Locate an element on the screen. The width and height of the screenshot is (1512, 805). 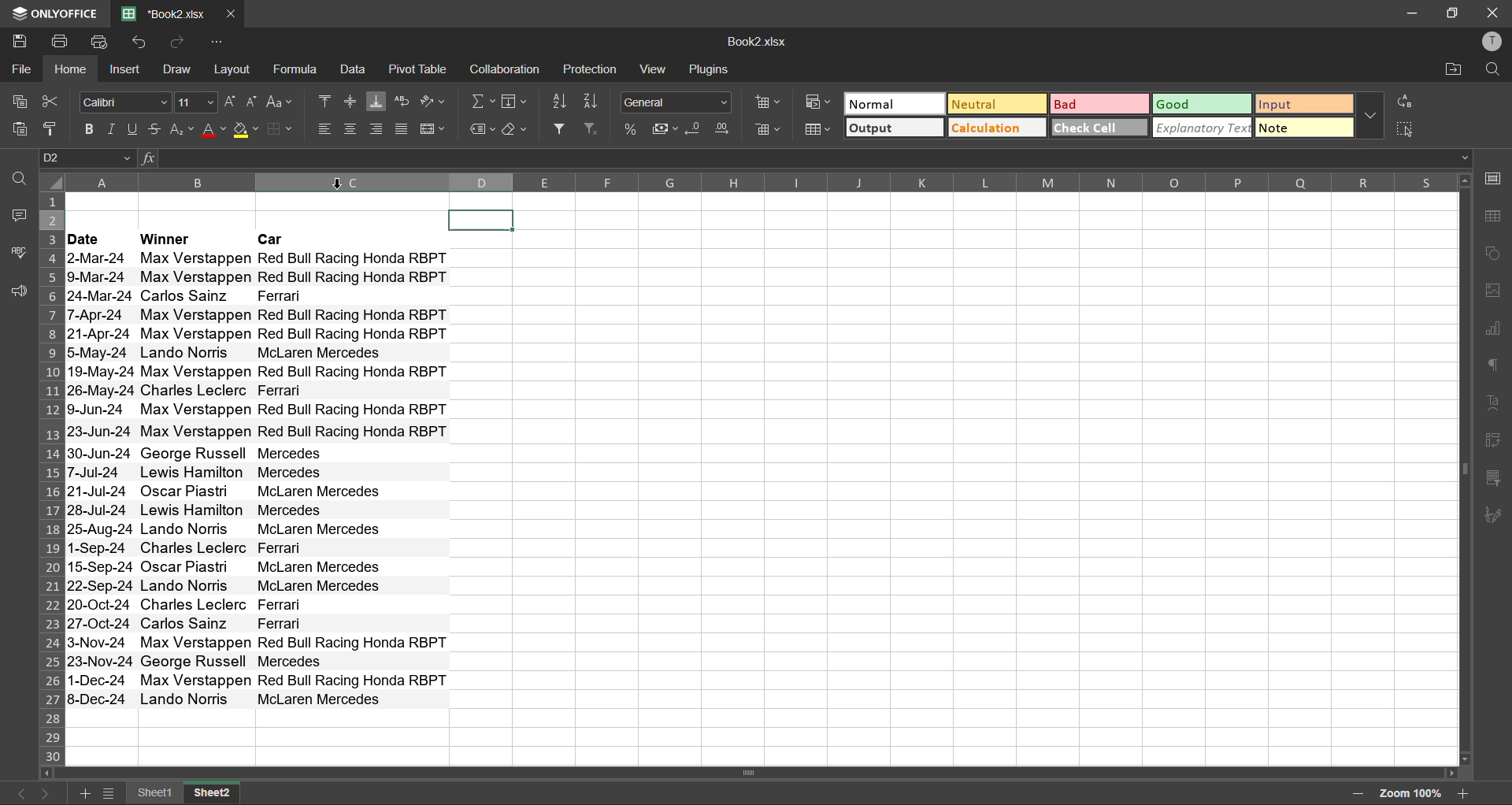
previous is located at coordinates (16, 791).